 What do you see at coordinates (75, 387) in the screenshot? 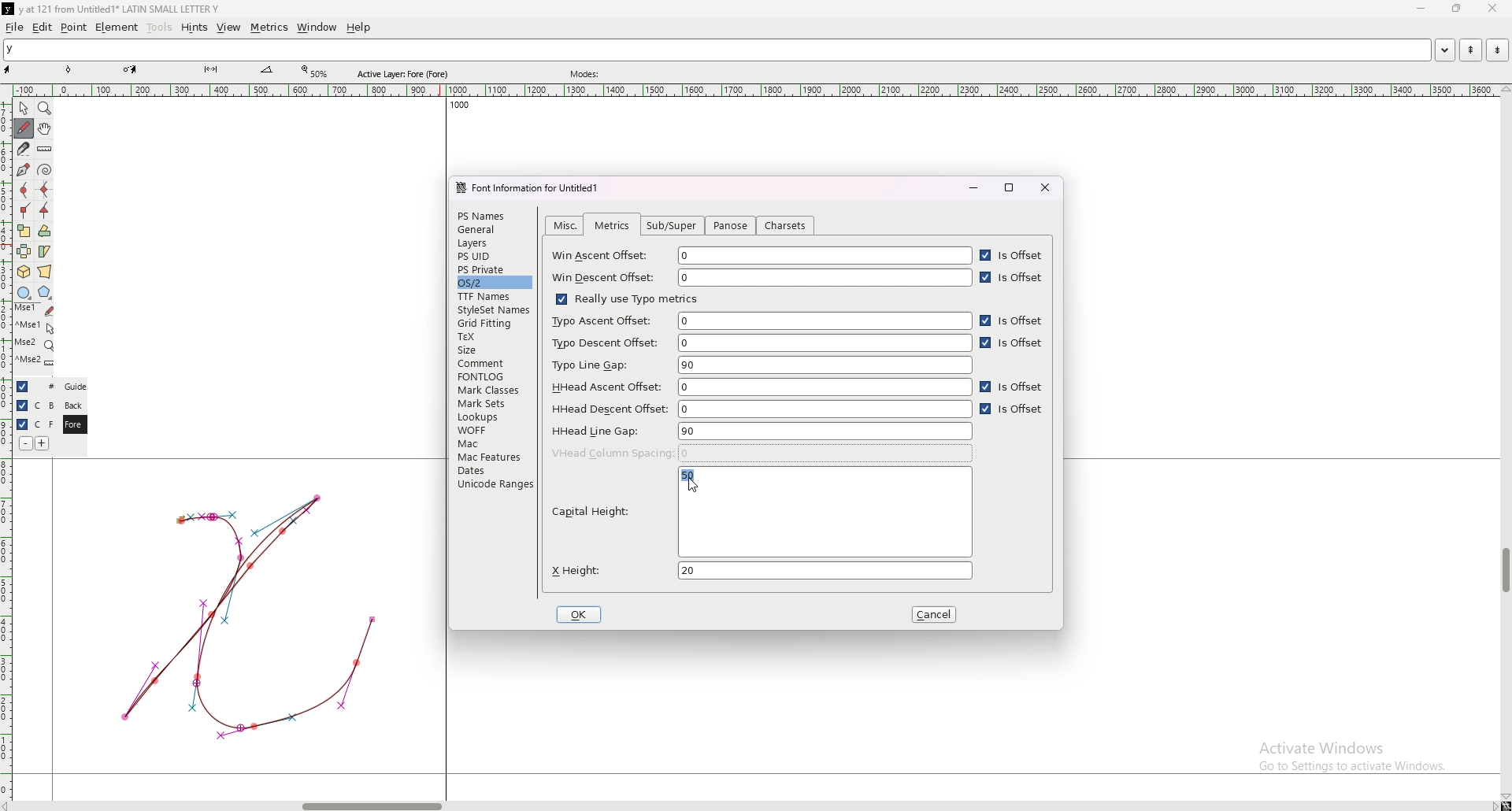
I see `guide` at bounding box center [75, 387].